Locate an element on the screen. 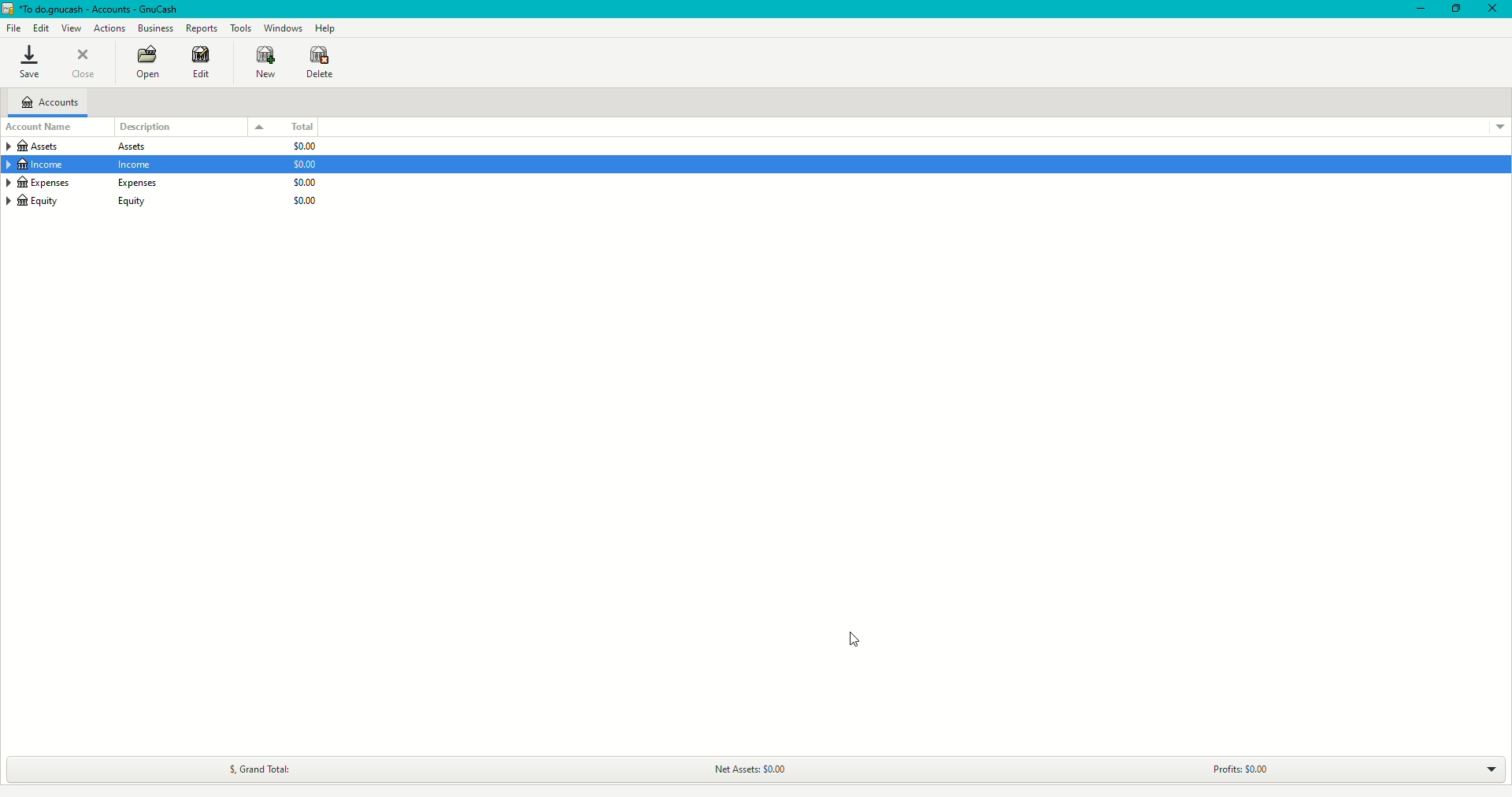  Minimize is located at coordinates (1416, 9).